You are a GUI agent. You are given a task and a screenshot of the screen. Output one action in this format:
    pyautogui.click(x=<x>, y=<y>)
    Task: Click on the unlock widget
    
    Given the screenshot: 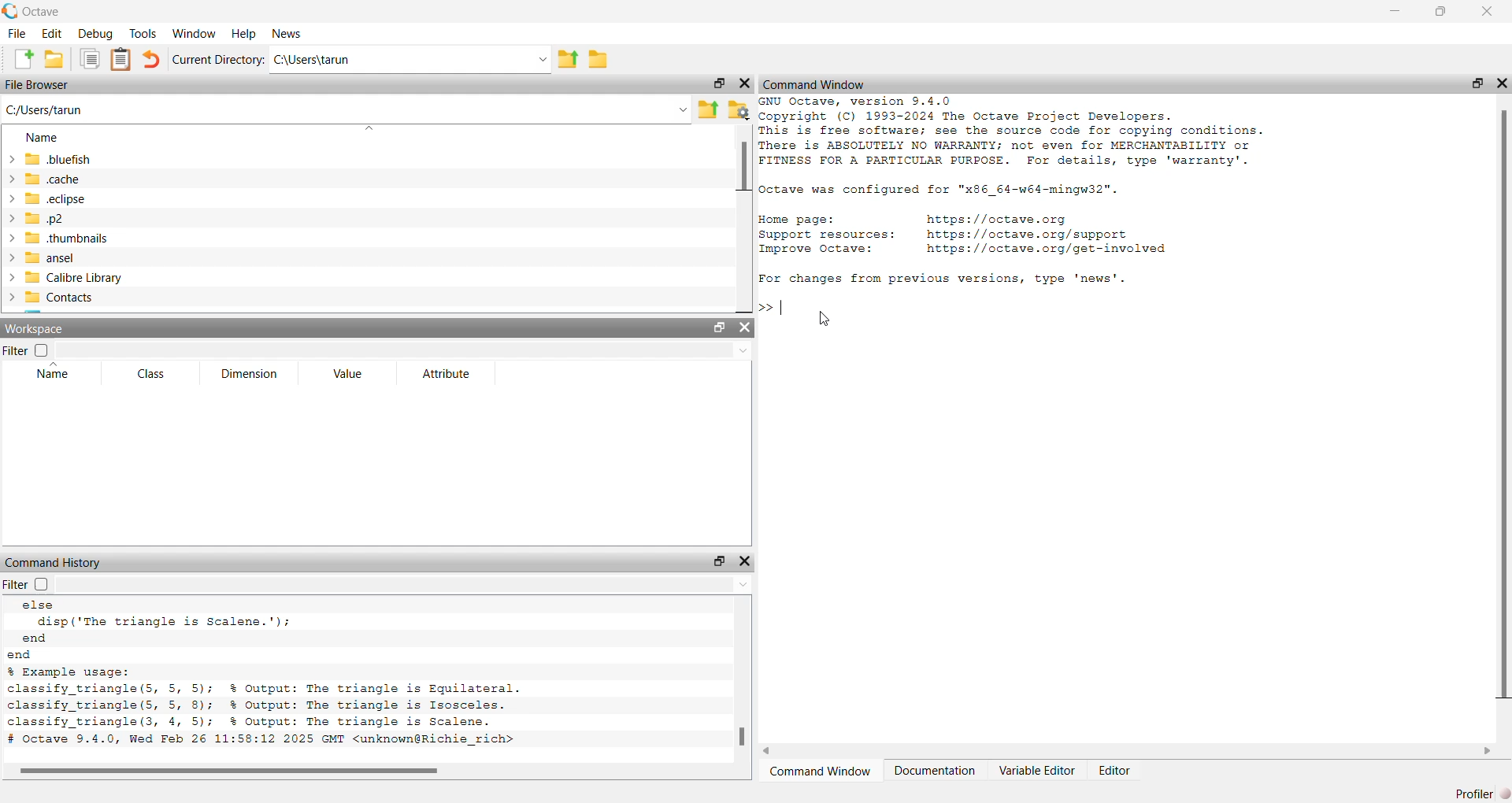 What is the action you would take?
    pyautogui.click(x=716, y=561)
    